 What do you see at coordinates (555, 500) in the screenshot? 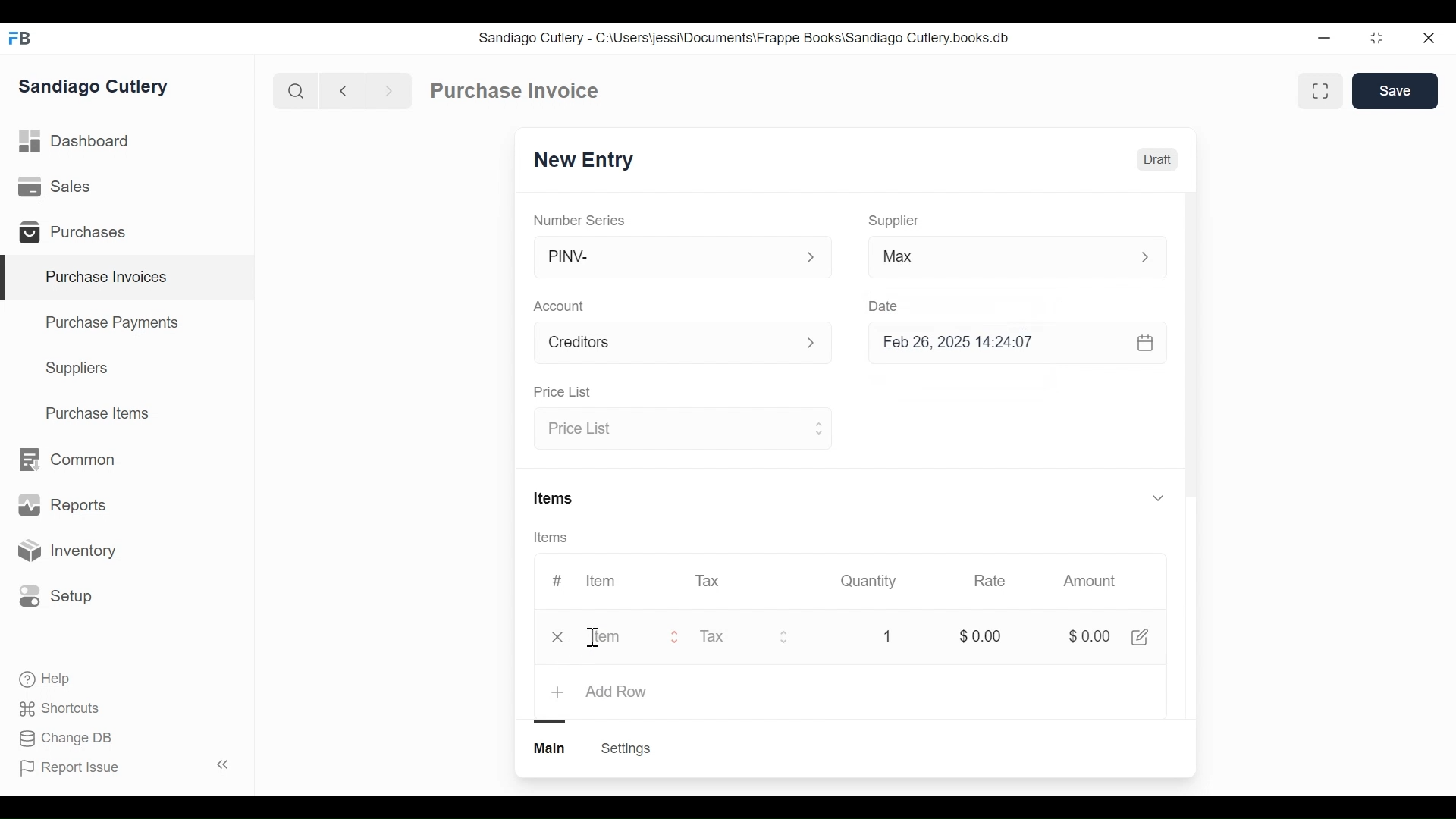
I see `Items` at bounding box center [555, 500].